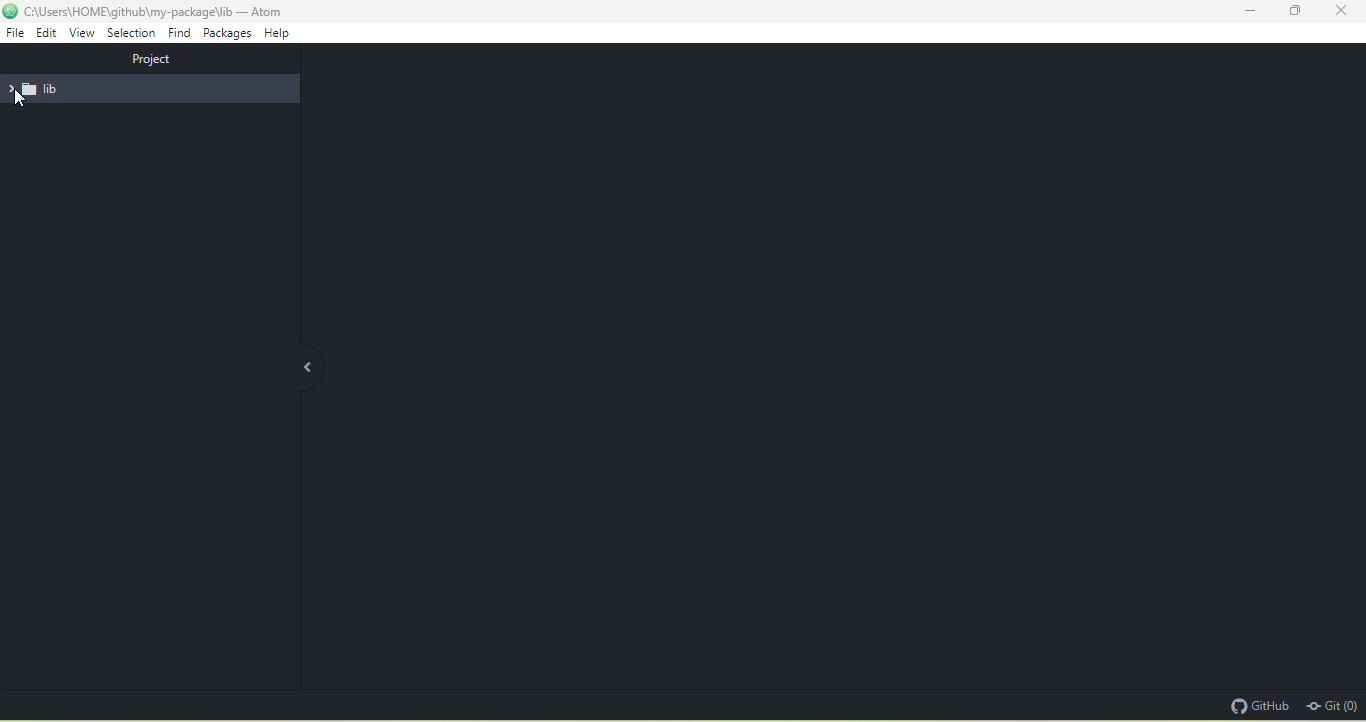 The image size is (1366, 722). I want to click on c\Users\HOME\github\my-package\lib, so click(129, 11).